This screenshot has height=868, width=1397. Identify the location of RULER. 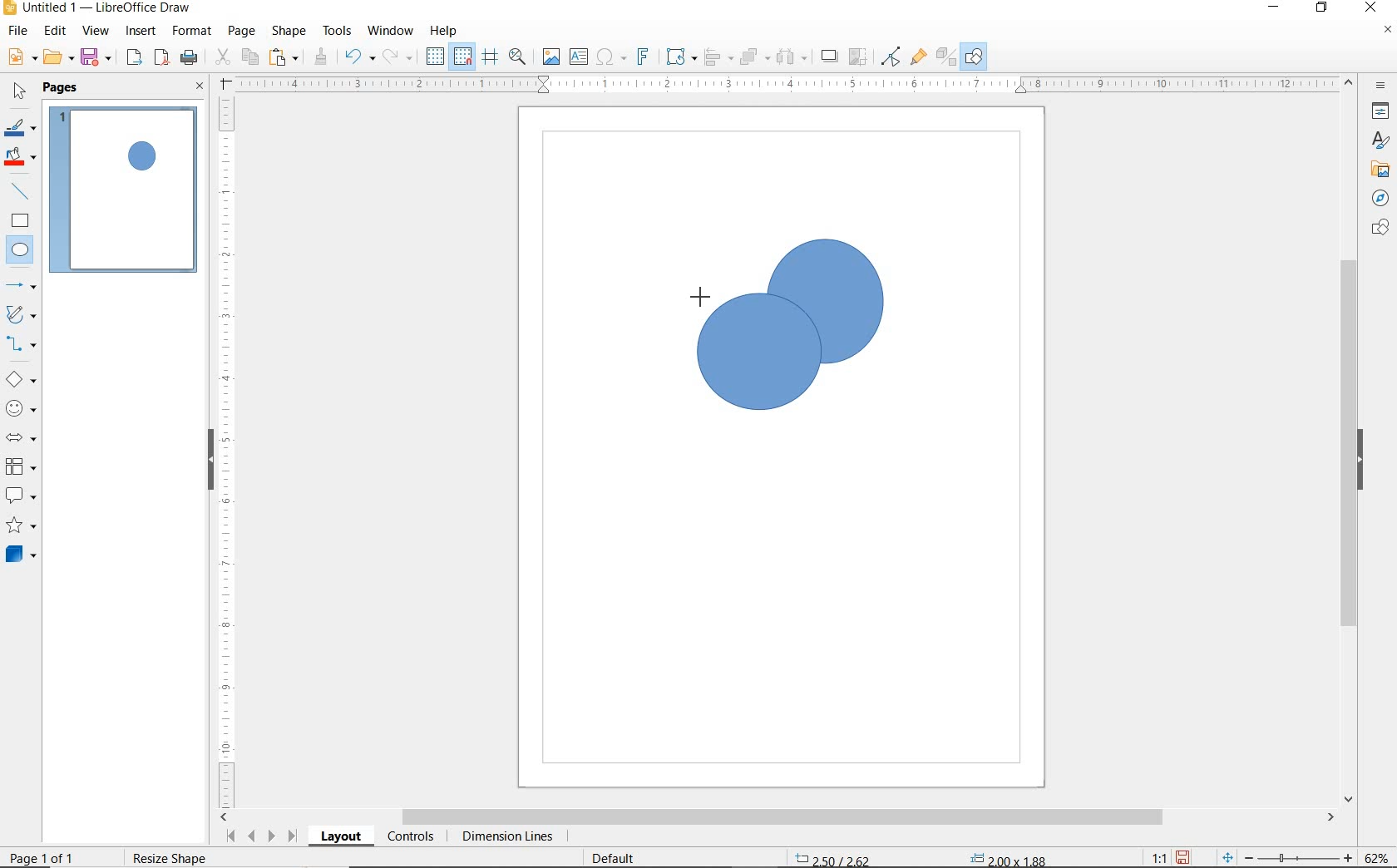
(788, 85).